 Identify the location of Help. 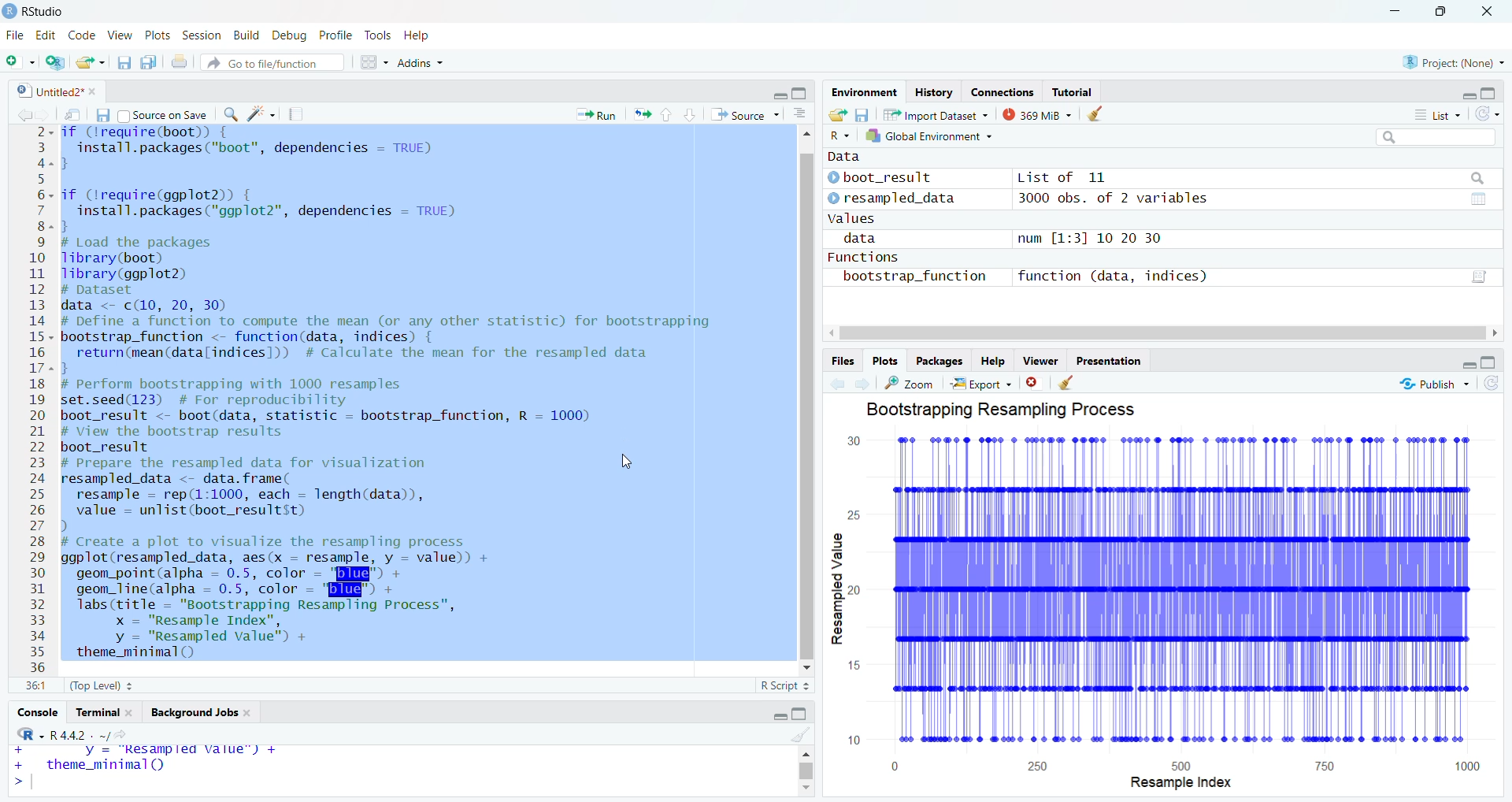
(991, 360).